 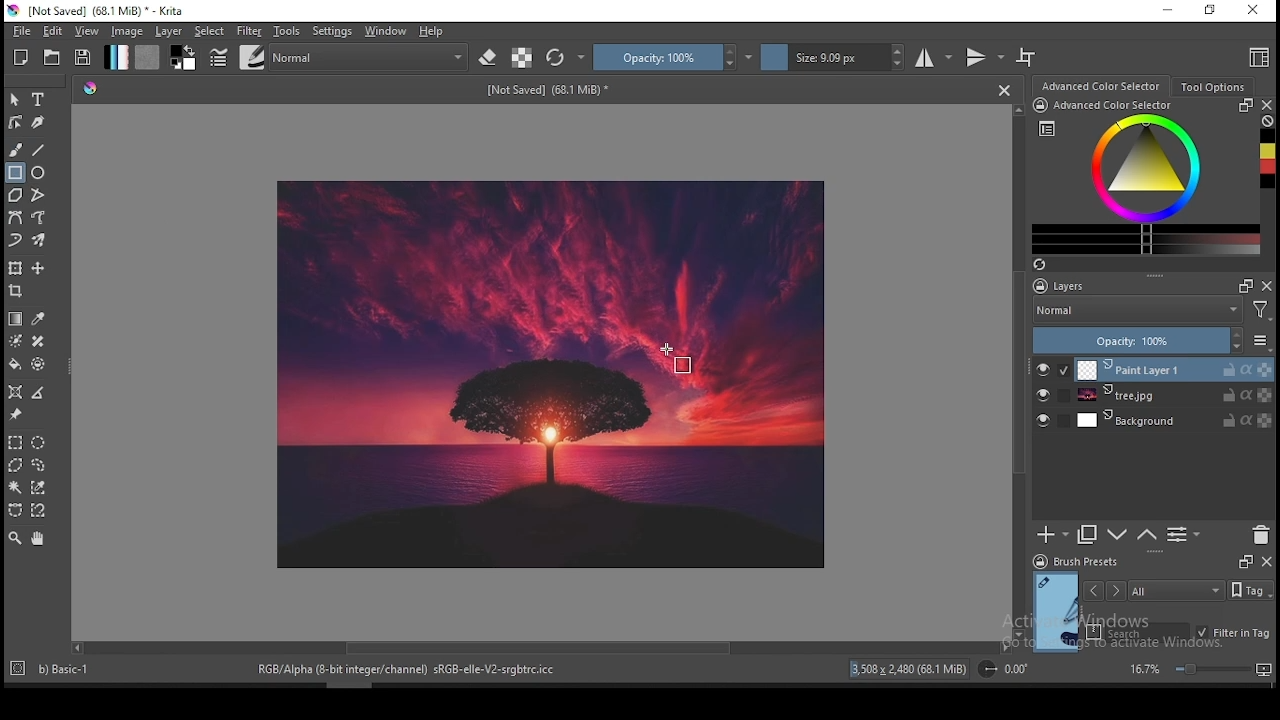 I want to click on freehand selection tool, so click(x=40, y=463).